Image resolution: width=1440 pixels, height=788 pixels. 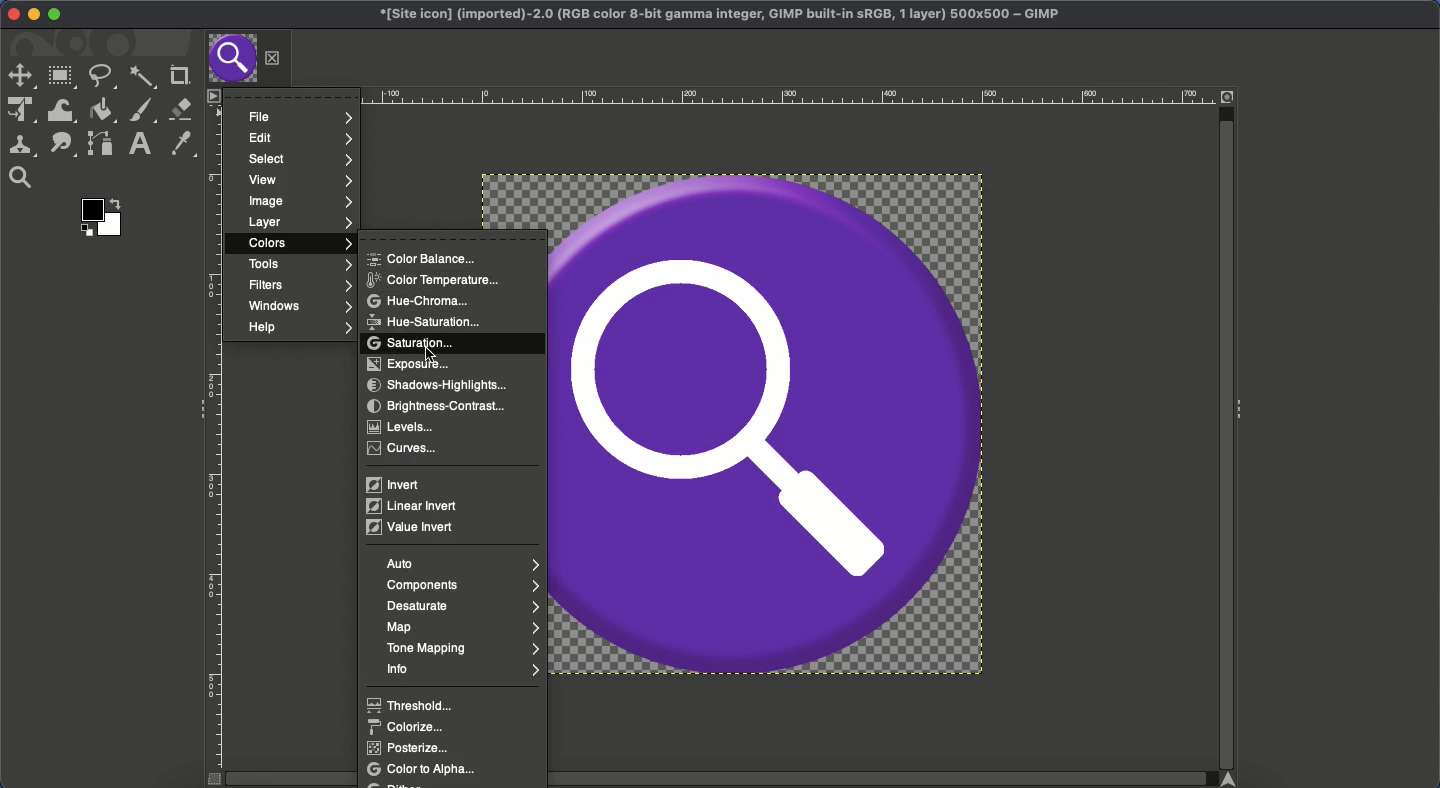 I want to click on Curves, so click(x=406, y=449).